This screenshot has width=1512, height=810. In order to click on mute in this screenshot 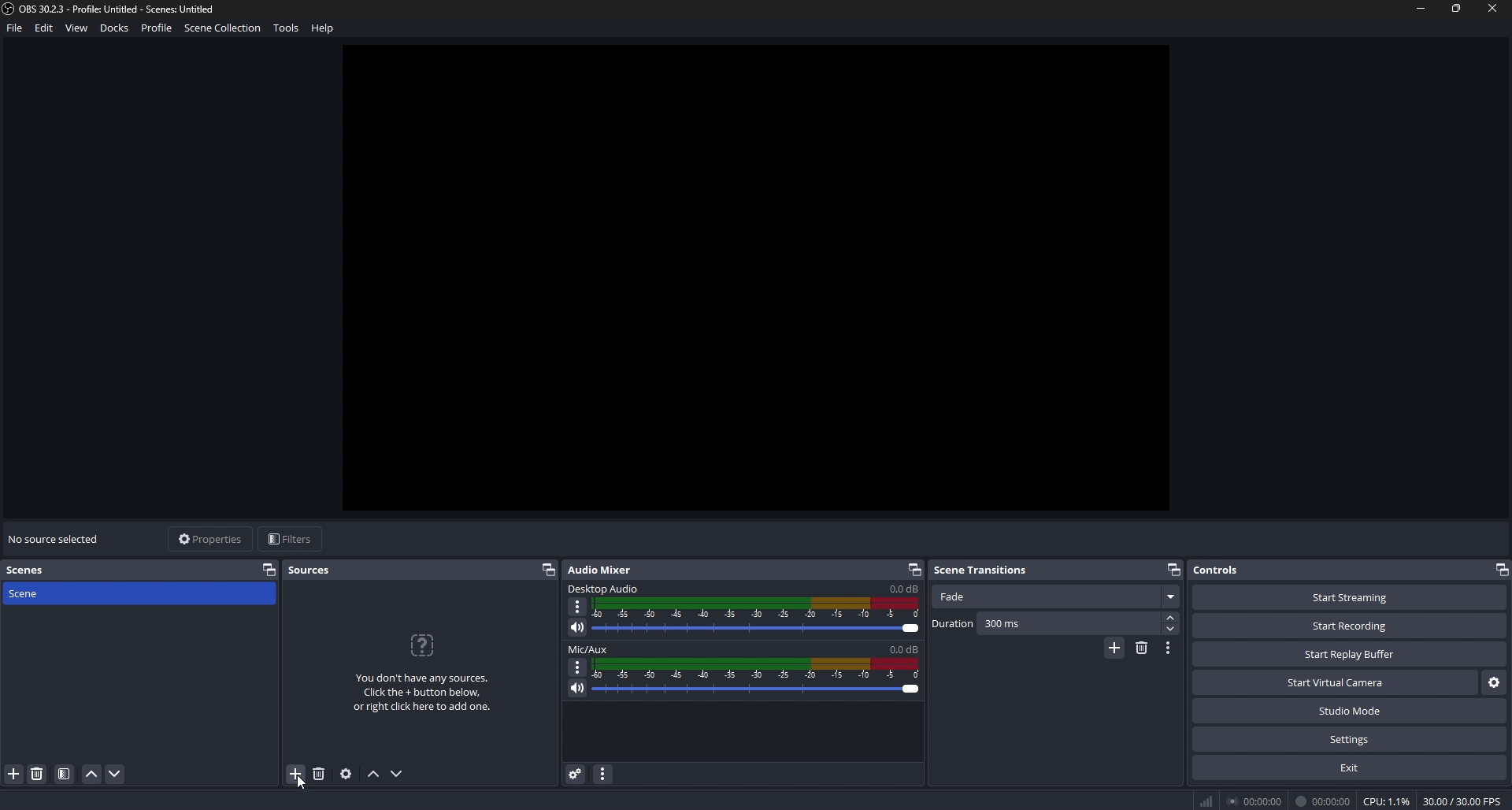, I will do `click(577, 688)`.